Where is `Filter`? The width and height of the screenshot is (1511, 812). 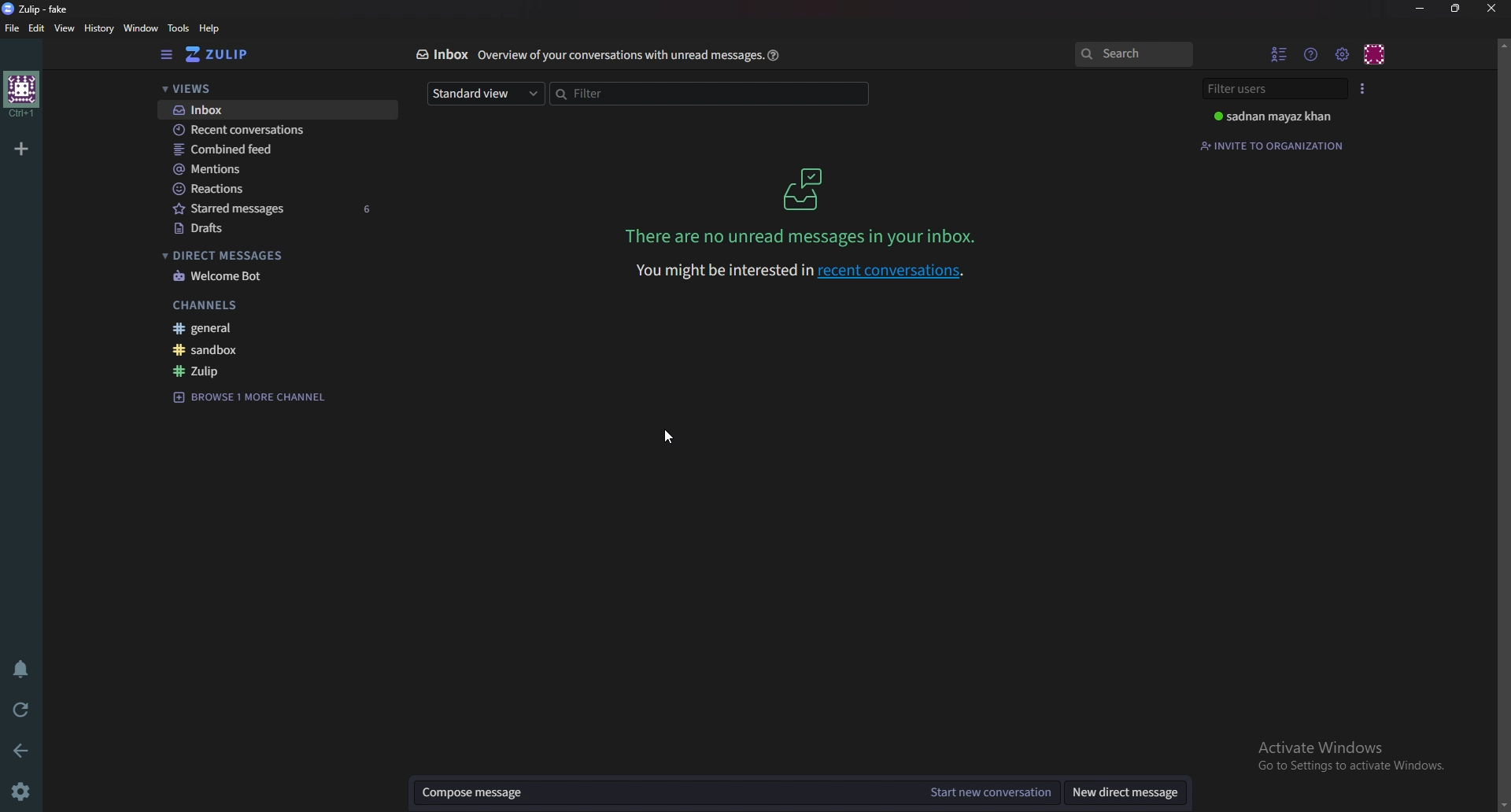
Filter is located at coordinates (711, 95).